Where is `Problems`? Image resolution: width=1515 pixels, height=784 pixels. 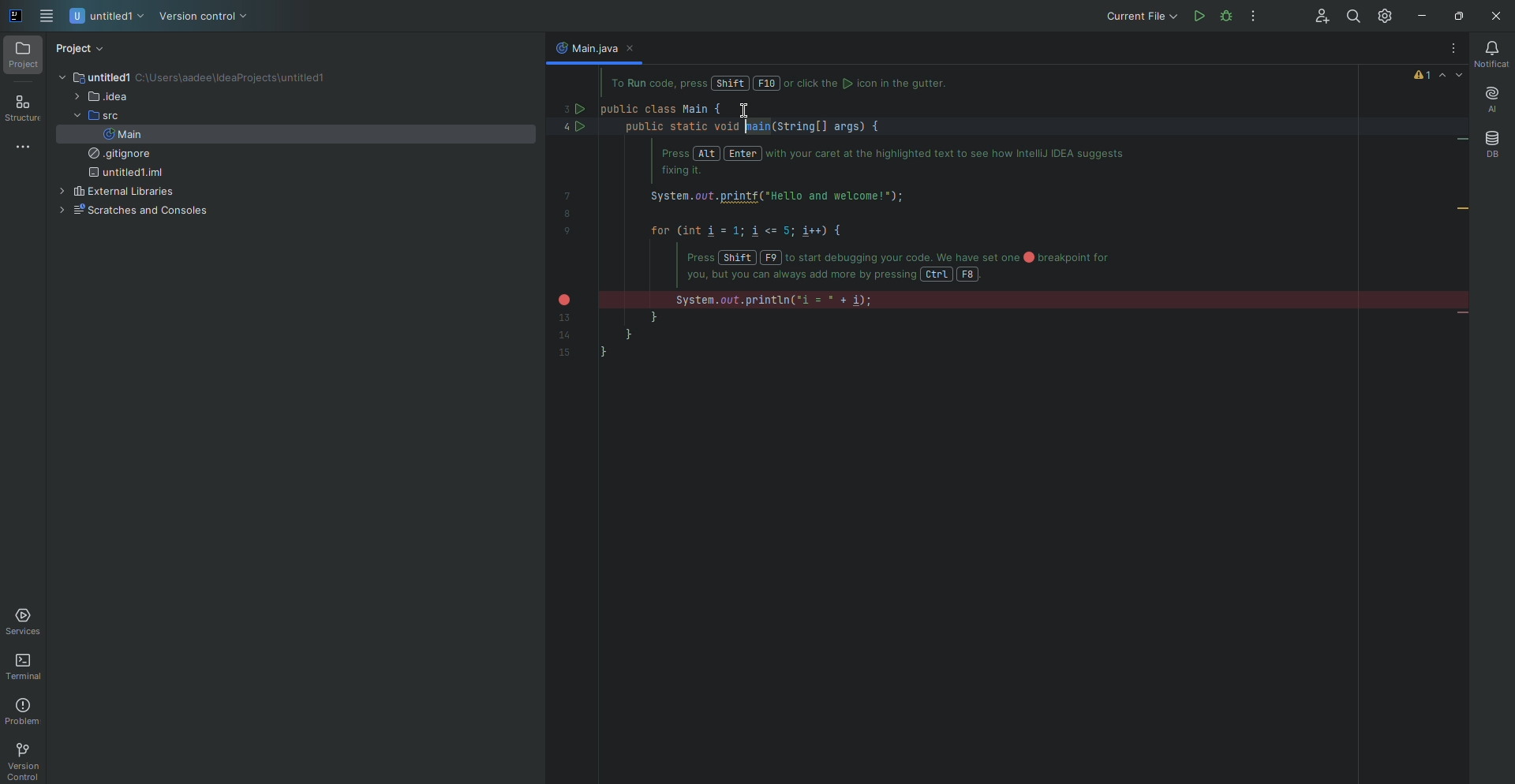 Problems is located at coordinates (25, 711).